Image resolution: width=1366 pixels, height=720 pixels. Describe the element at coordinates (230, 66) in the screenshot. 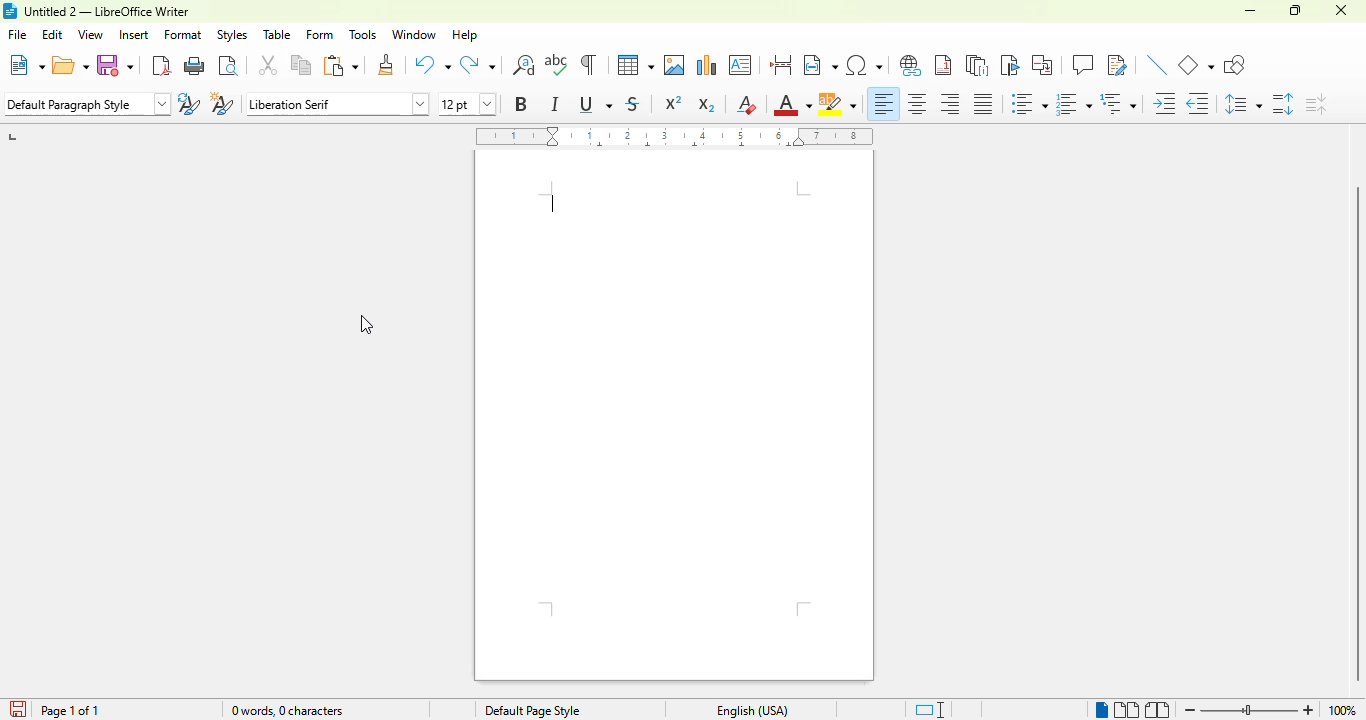

I see `toggle print preview` at that location.